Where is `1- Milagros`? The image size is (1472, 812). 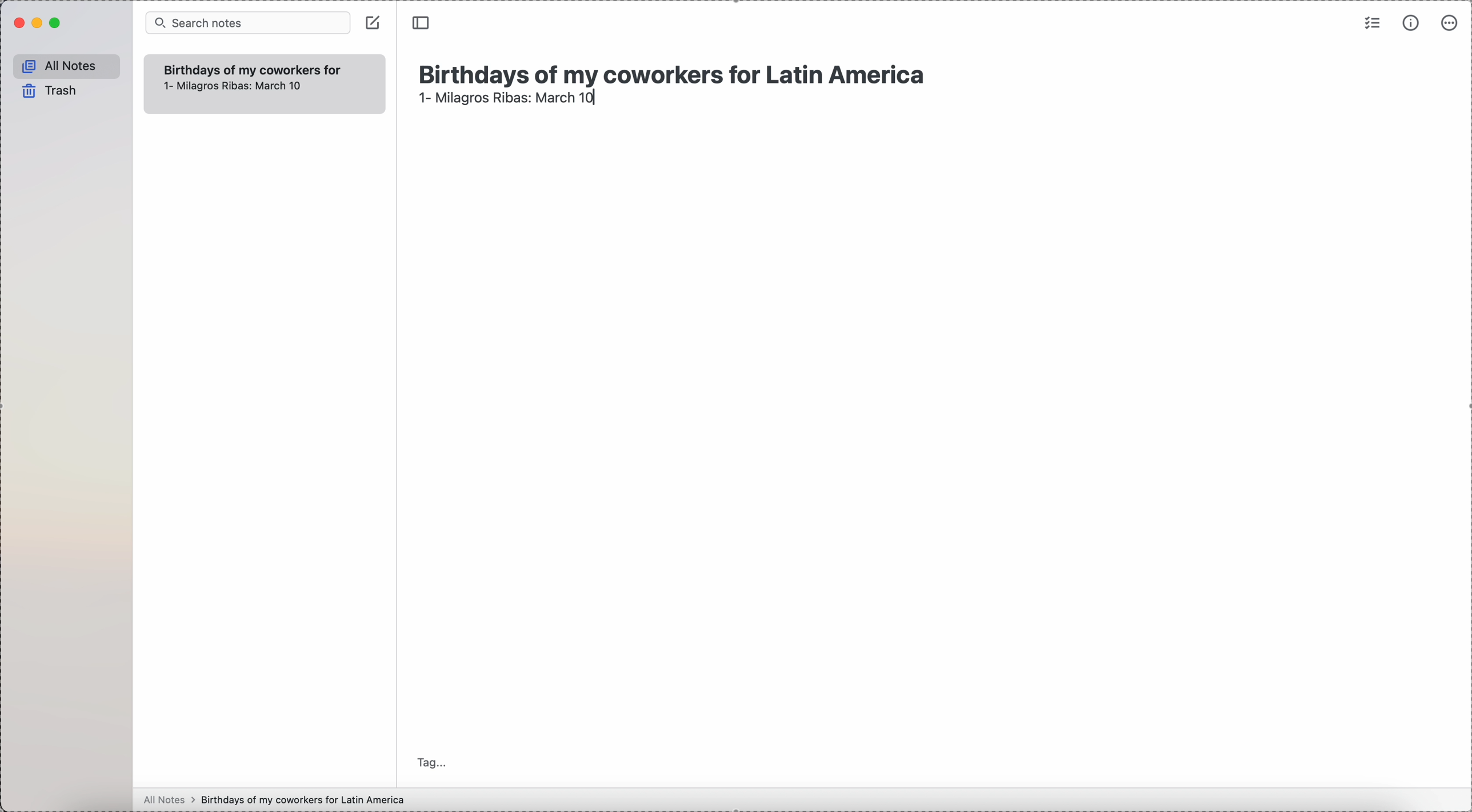
1- Milagros is located at coordinates (506, 102).